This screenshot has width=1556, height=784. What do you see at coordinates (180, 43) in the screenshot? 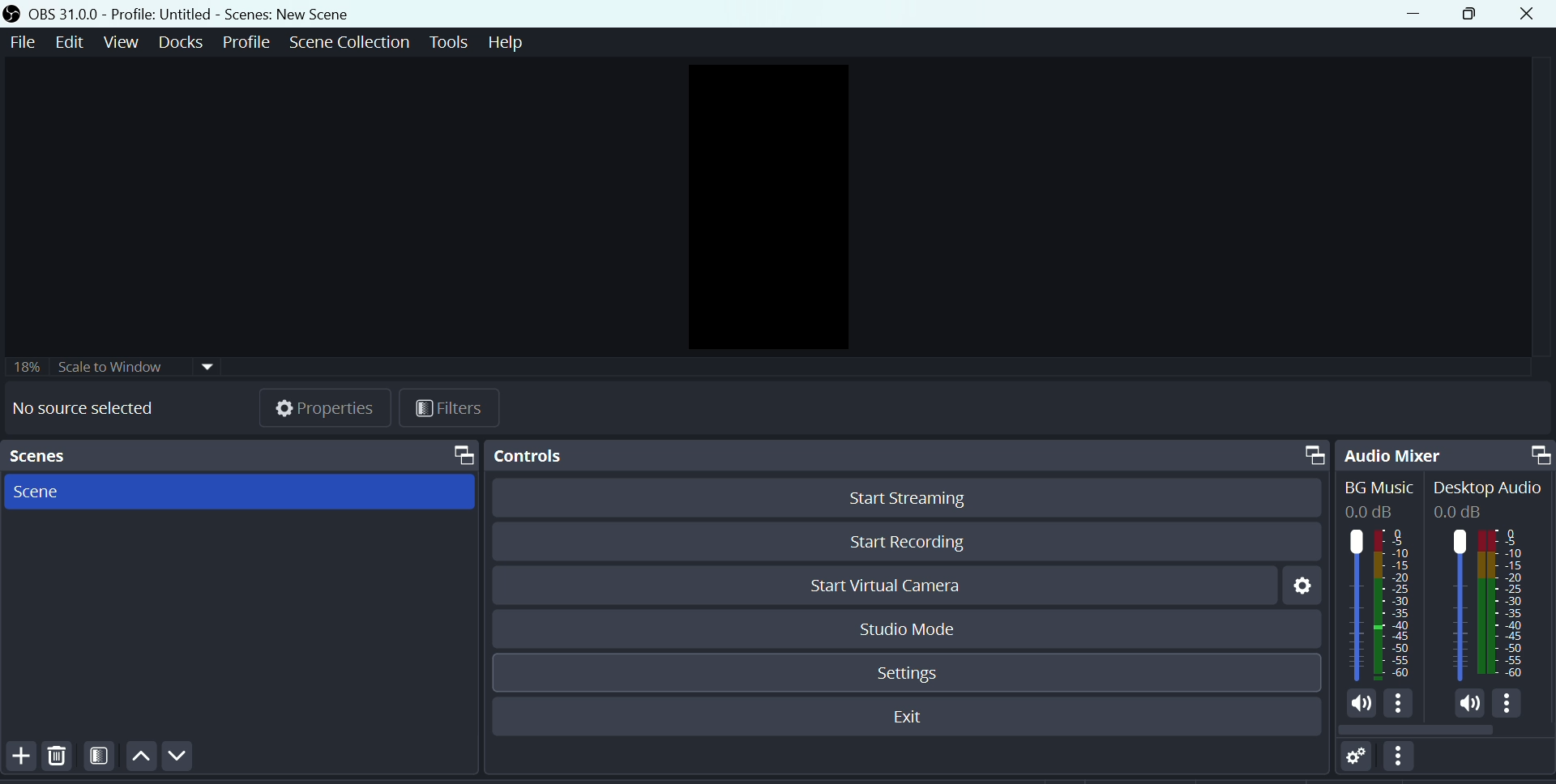
I see `Docks` at bounding box center [180, 43].